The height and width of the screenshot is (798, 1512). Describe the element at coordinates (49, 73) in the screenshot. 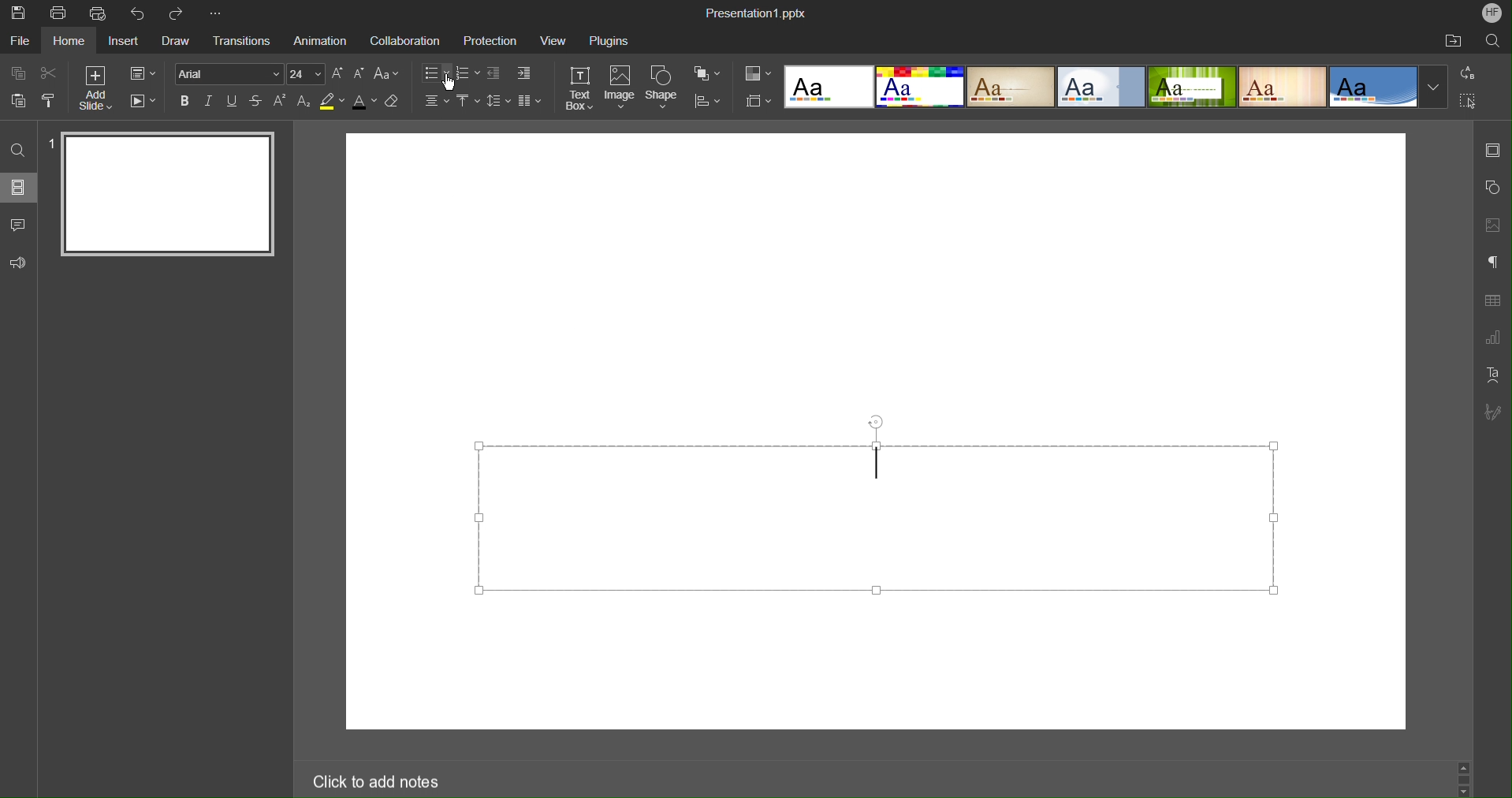

I see `Cut` at that location.